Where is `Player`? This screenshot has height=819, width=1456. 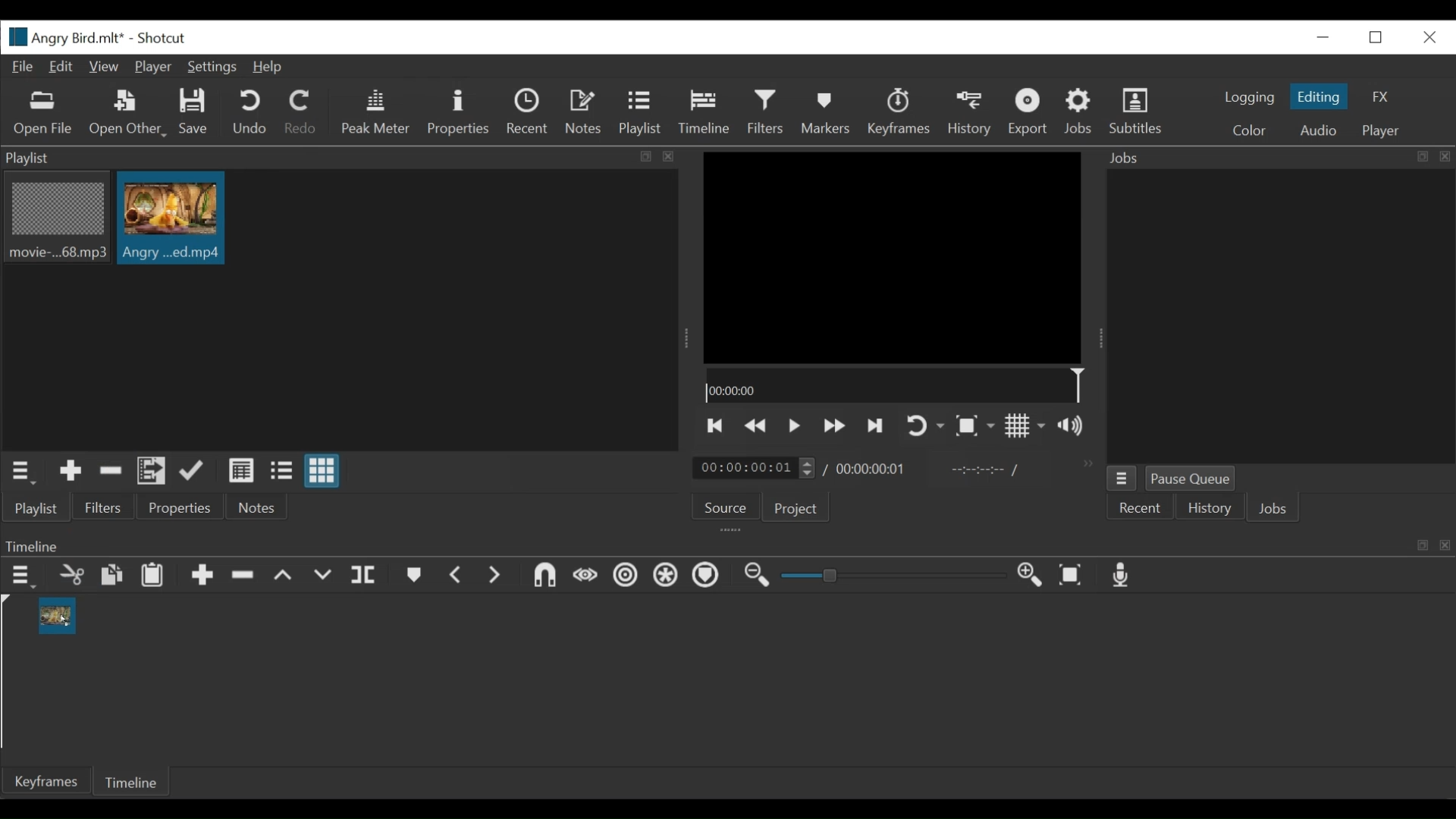 Player is located at coordinates (1380, 132).